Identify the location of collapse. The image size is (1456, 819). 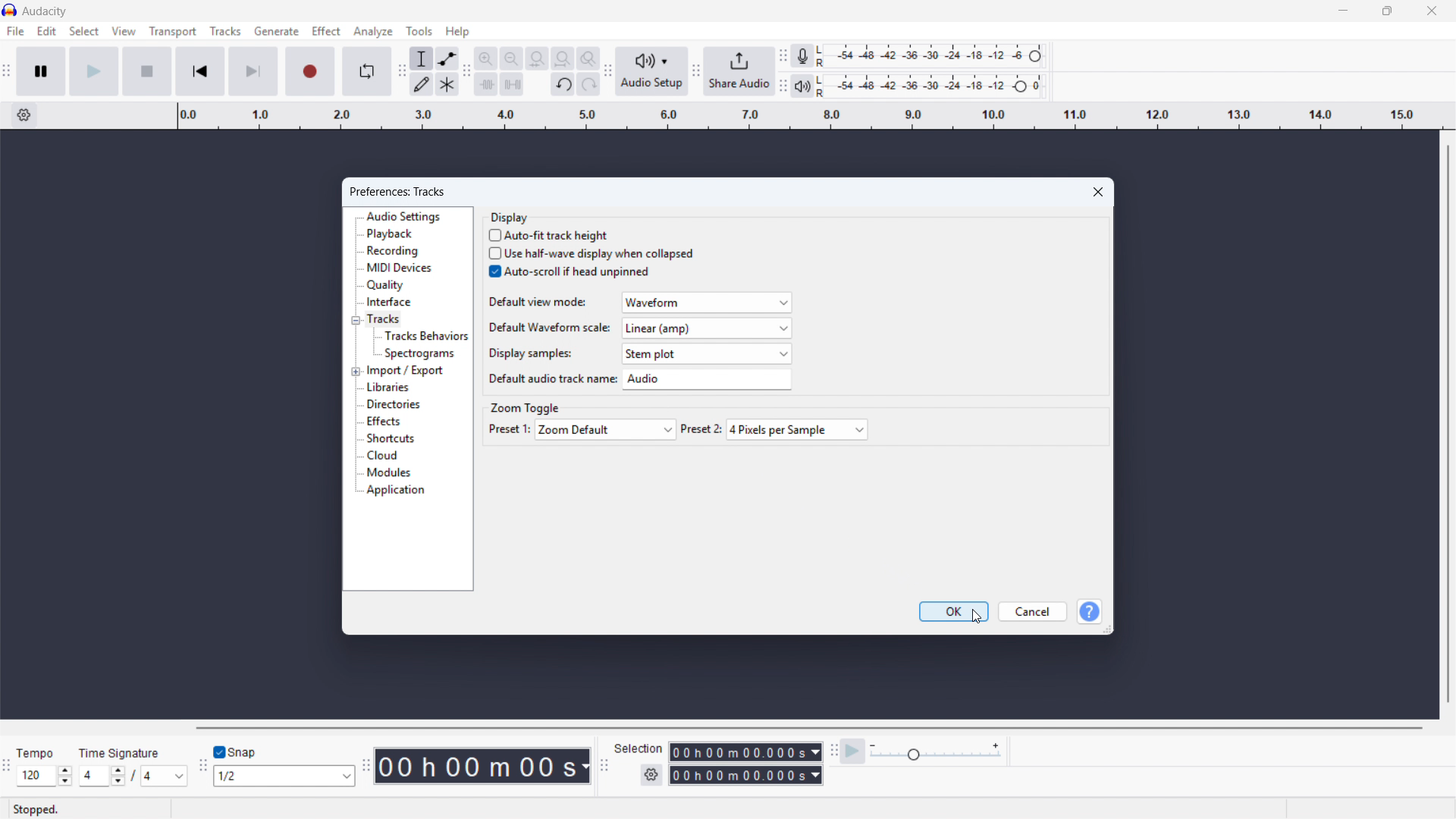
(355, 321).